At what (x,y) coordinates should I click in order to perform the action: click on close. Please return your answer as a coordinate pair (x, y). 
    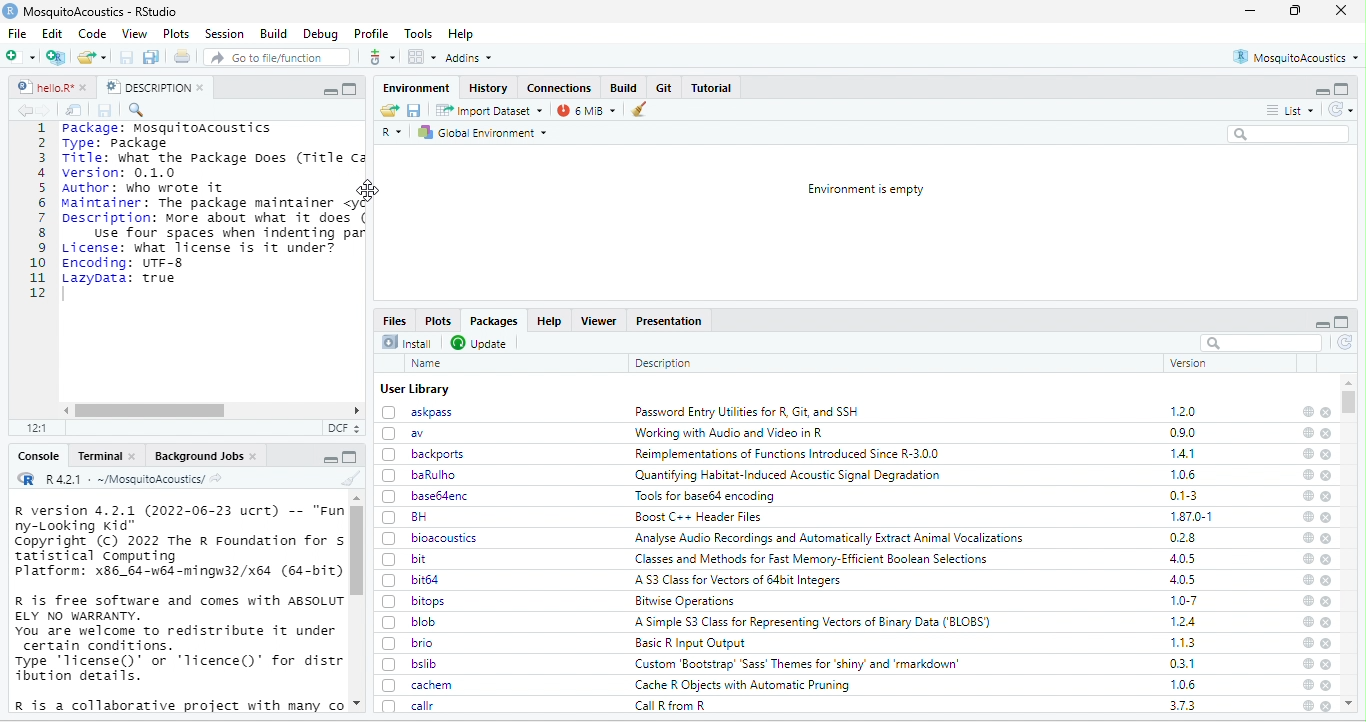
    Looking at the image, I should click on (1326, 475).